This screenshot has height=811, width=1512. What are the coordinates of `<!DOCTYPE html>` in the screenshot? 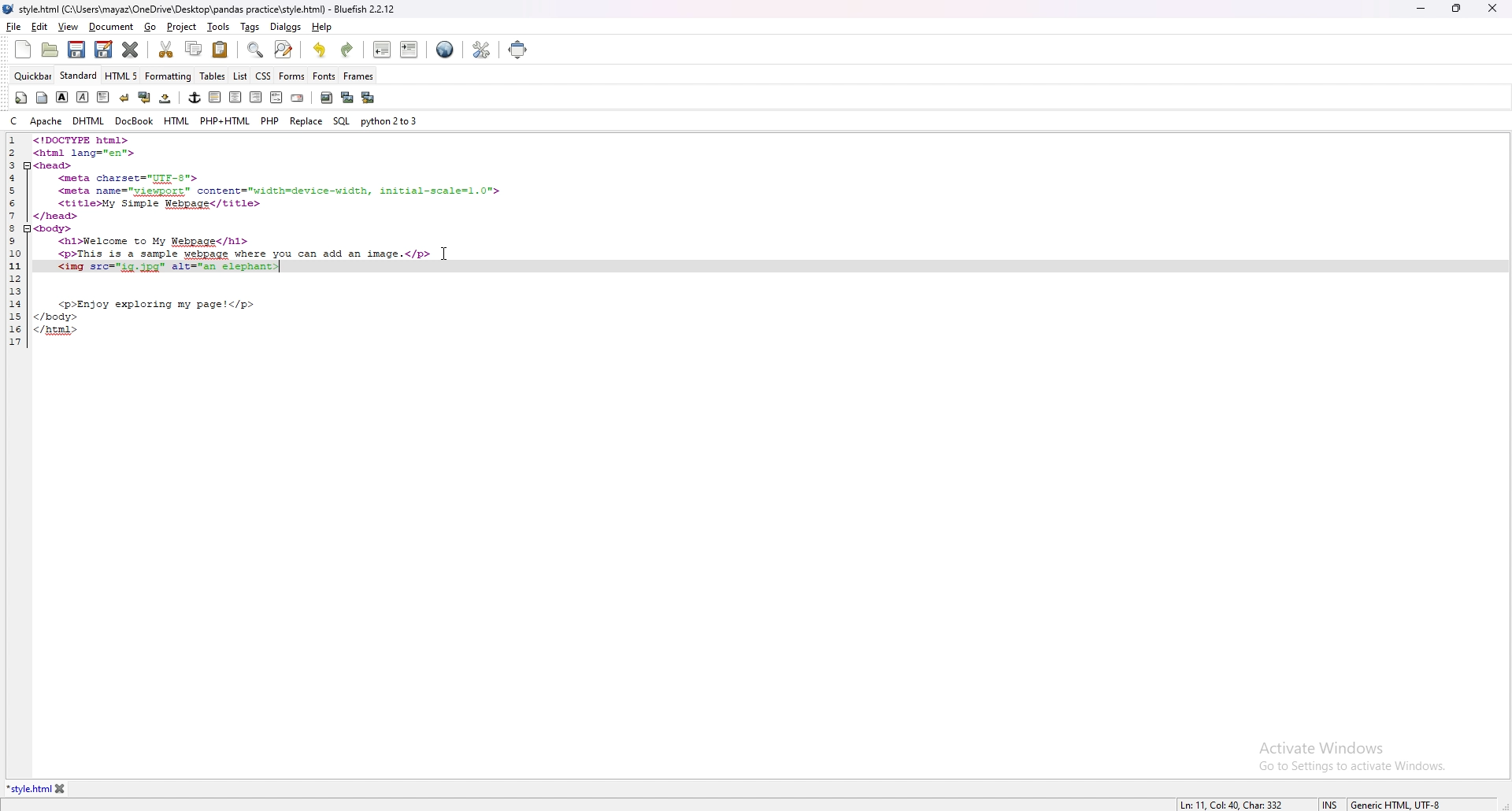 It's located at (84, 140).